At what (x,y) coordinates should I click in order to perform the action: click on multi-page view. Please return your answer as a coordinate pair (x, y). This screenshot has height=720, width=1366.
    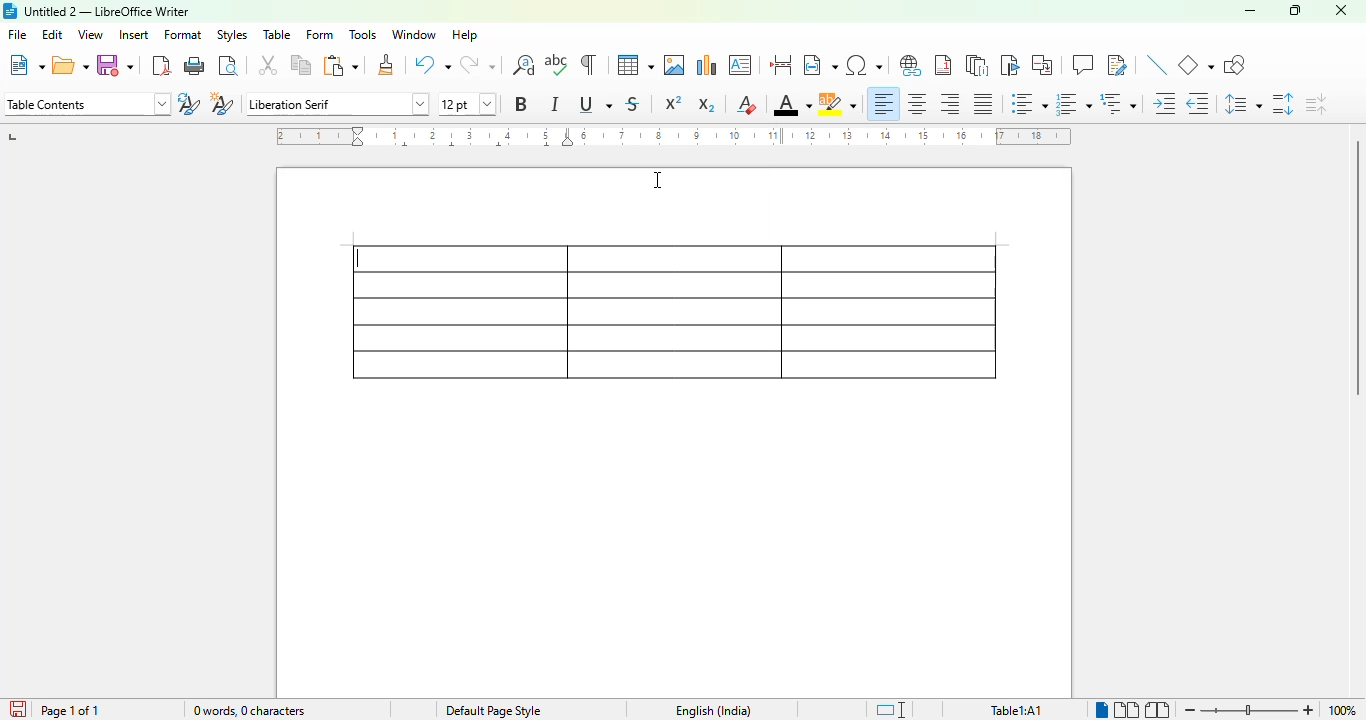
    Looking at the image, I should click on (1128, 710).